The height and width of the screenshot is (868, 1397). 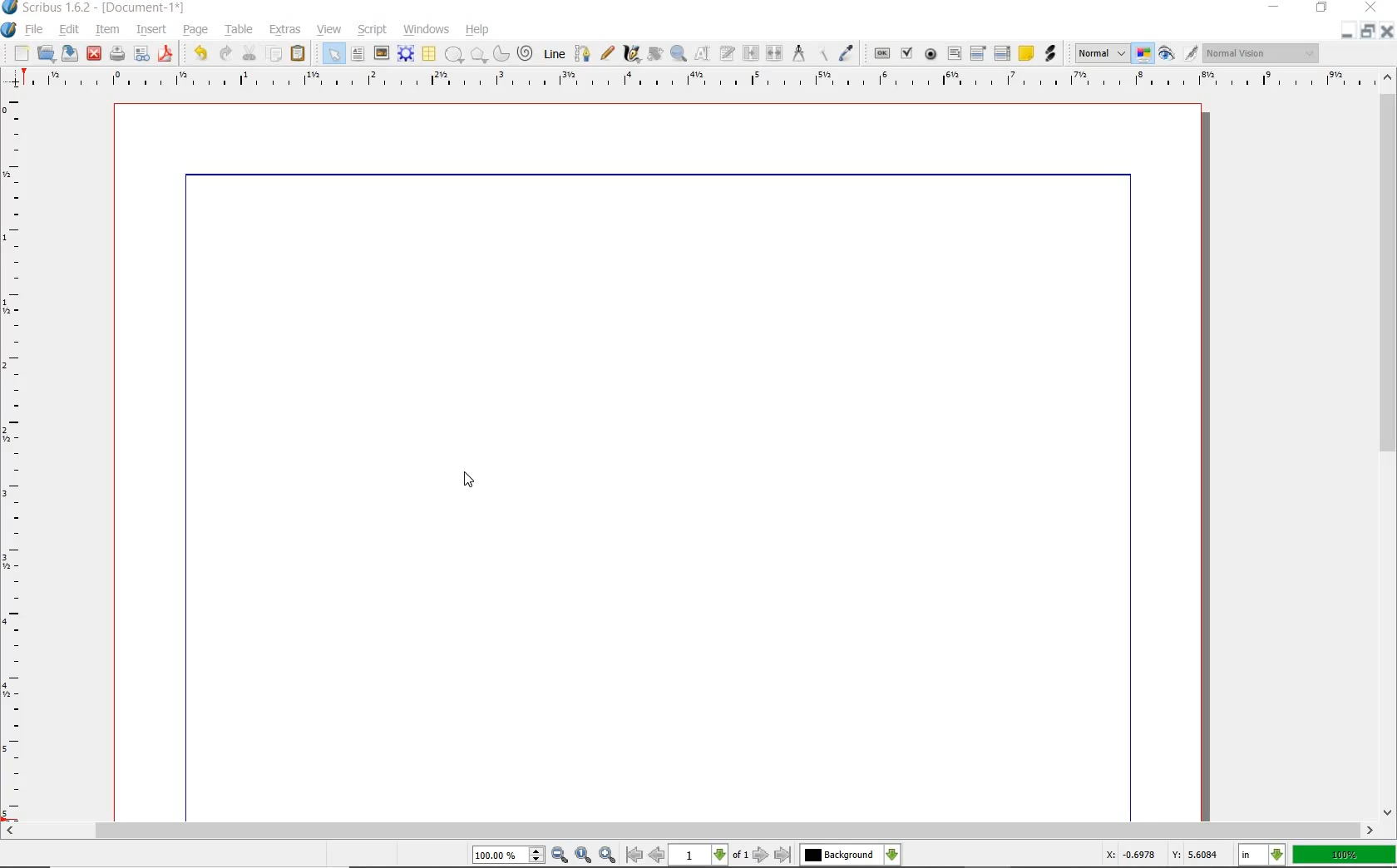 I want to click on WINDOWS, so click(x=427, y=30).